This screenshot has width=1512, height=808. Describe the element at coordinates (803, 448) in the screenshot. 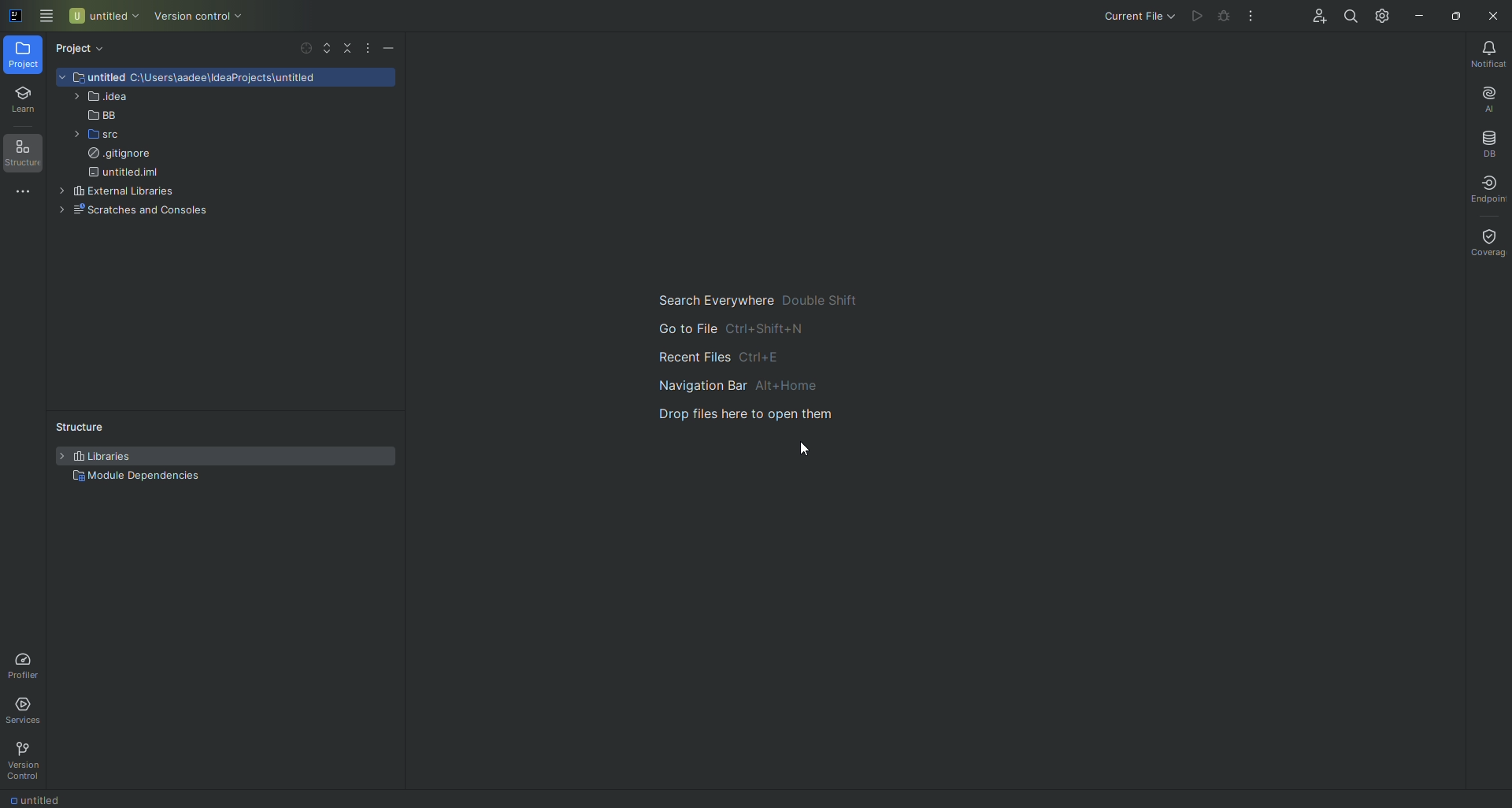

I see `Pointer` at that location.